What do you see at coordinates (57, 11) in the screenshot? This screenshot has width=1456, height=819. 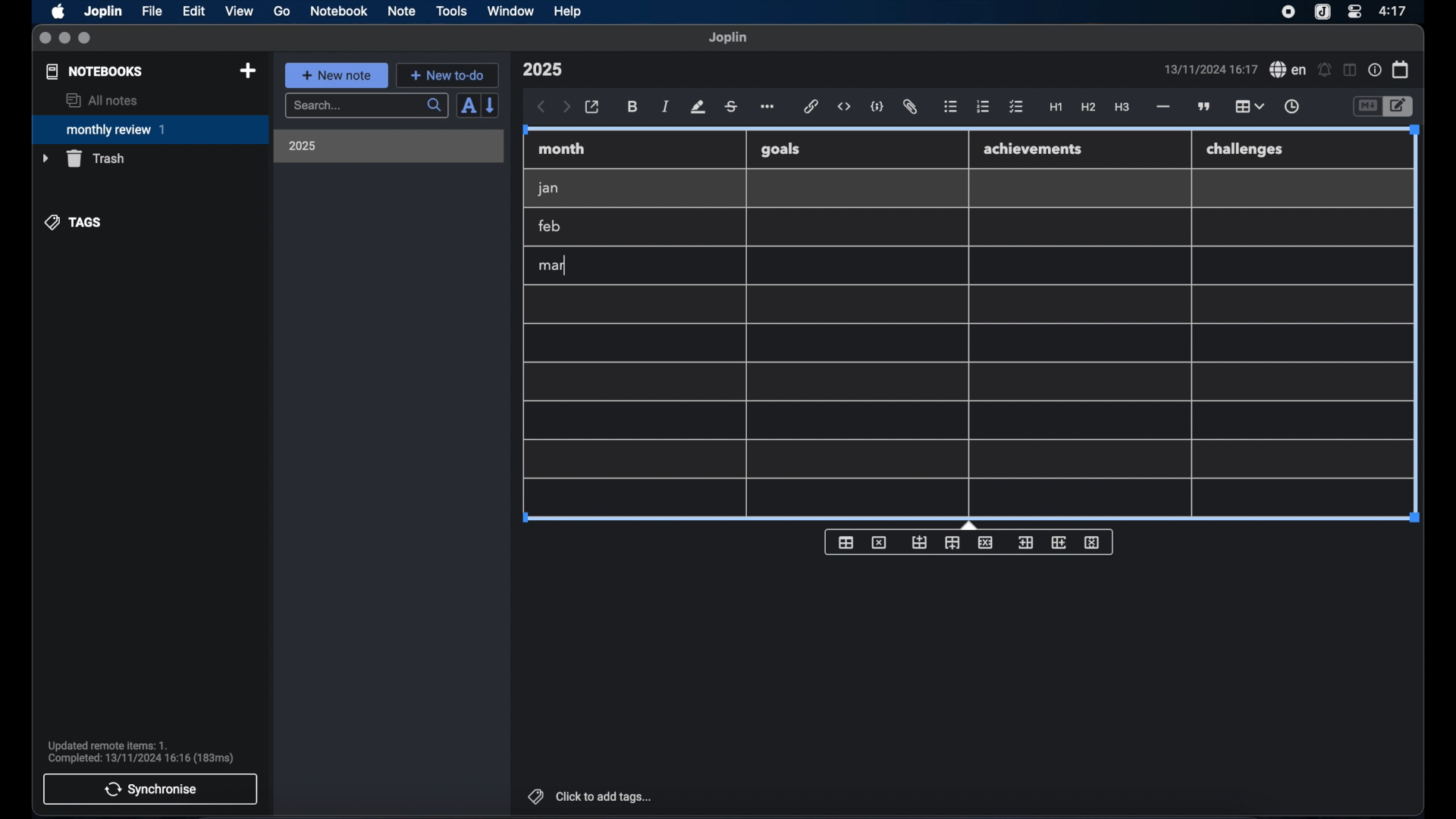 I see `apple icon` at bounding box center [57, 11].